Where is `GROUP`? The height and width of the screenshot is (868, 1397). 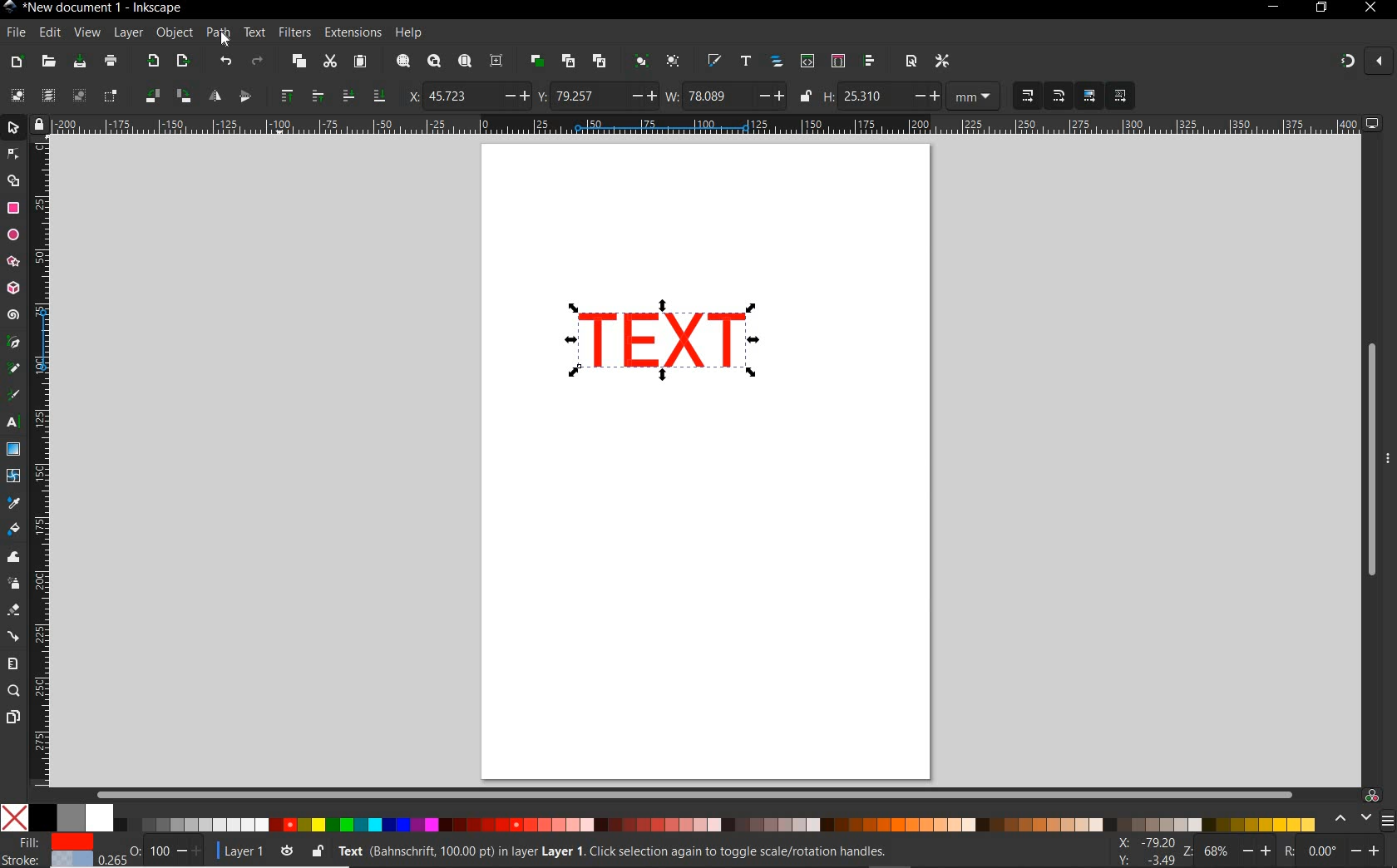 GROUP is located at coordinates (639, 60).